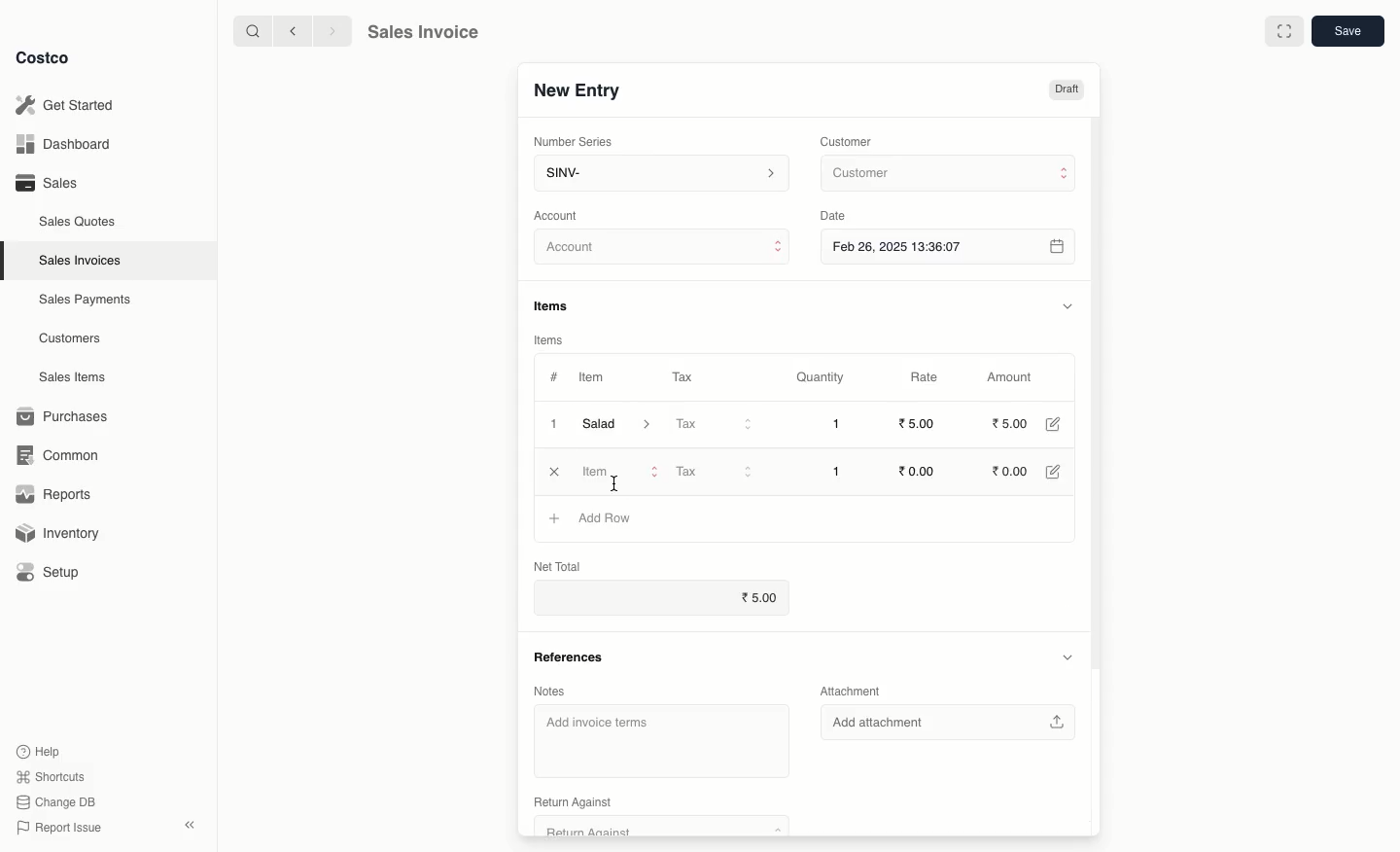 Image resolution: width=1400 pixels, height=852 pixels. I want to click on 1, so click(836, 471).